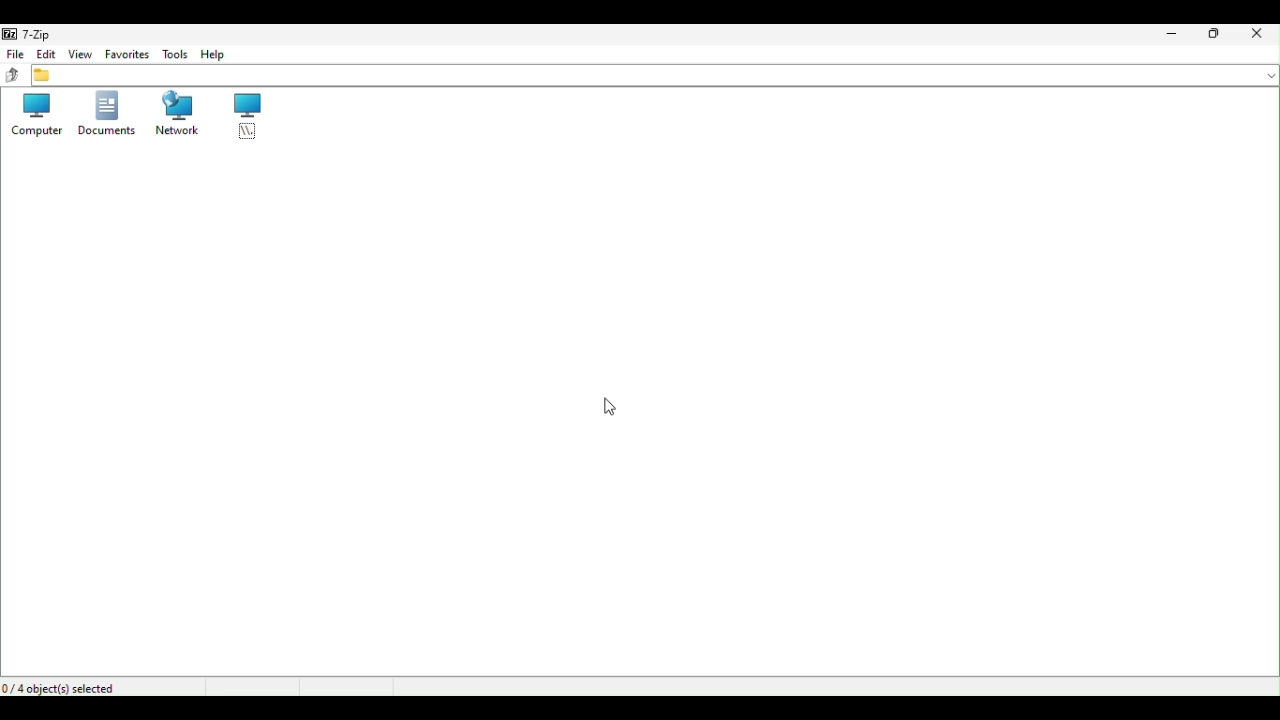 This screenshot has height=720, width=1280. What do you see at coordinates (107, 116) in the screenshot?
I see `Documents` at bounding box center [107, 116].